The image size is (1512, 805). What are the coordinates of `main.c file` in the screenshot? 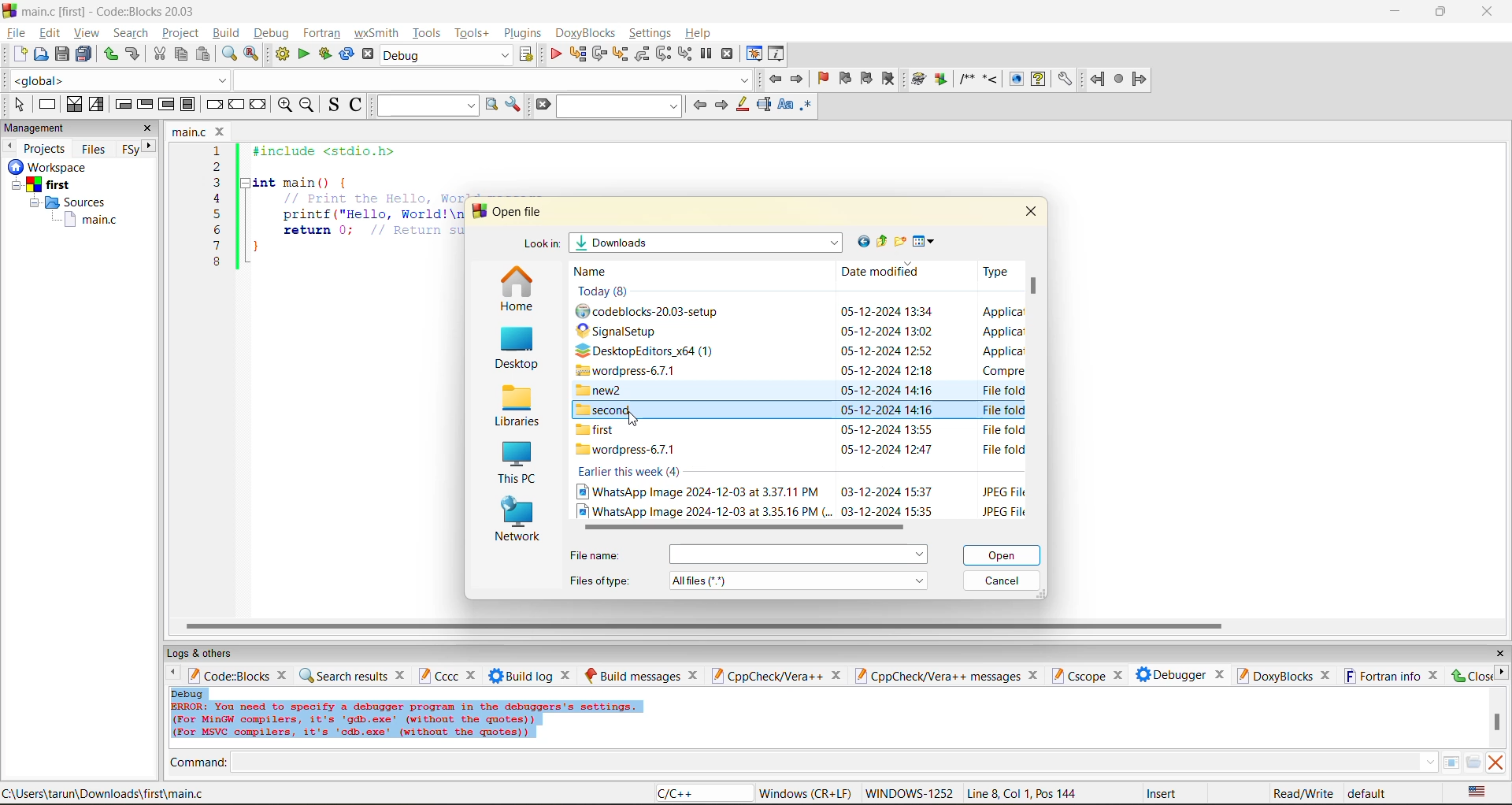 It's located at (91, 221).